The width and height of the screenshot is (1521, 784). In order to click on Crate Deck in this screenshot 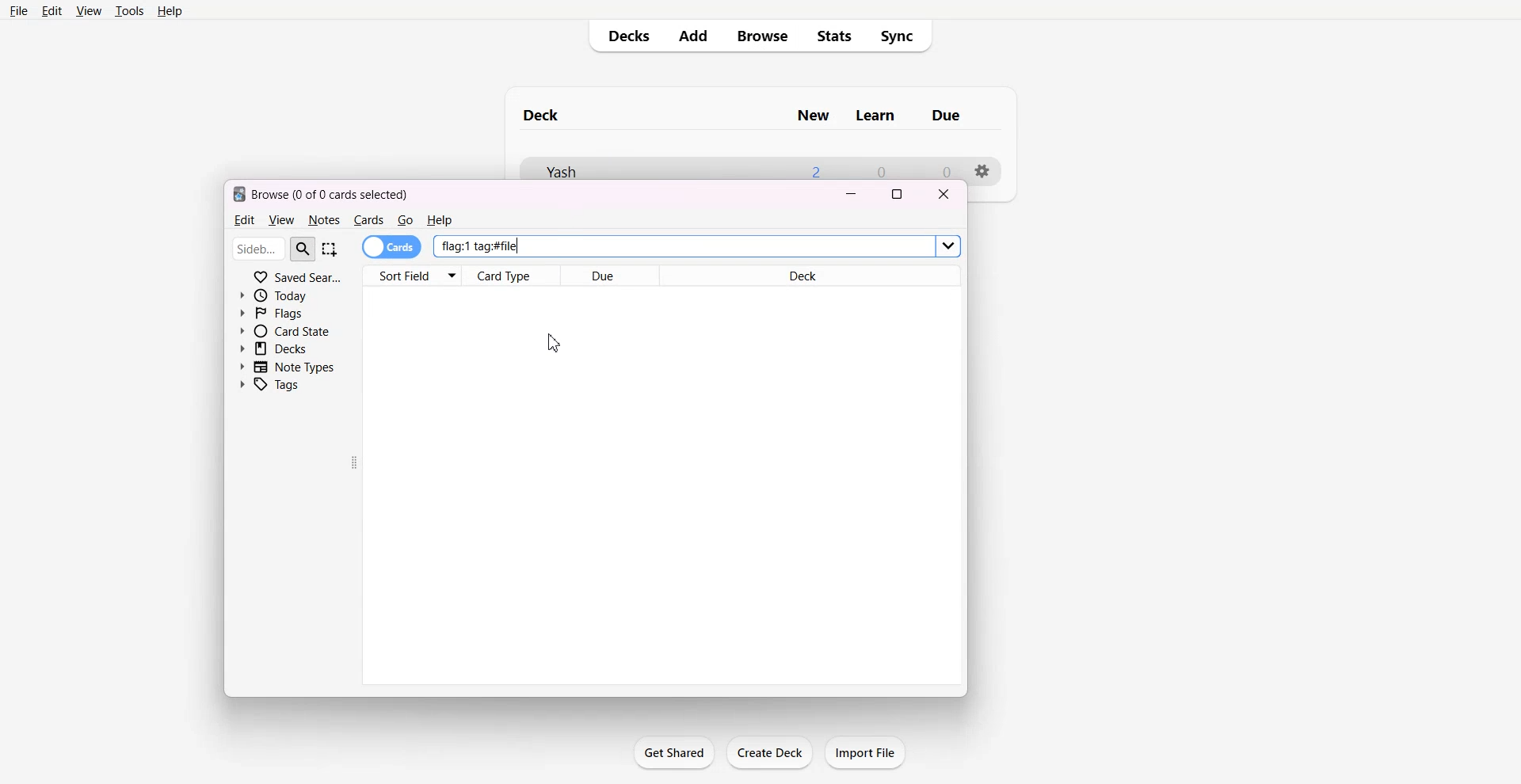, I will do `click(769, 752)`.